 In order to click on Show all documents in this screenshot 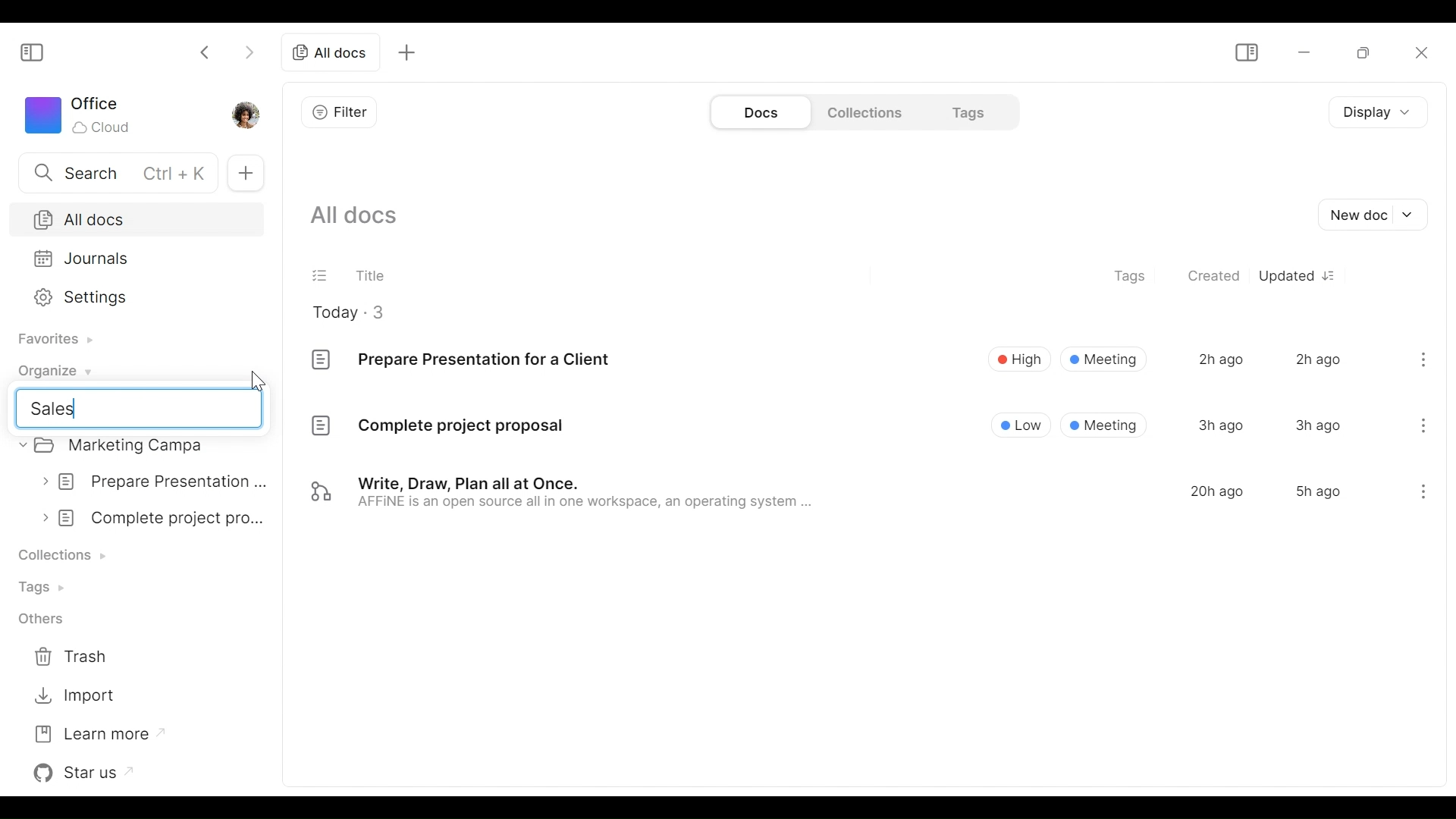, I will do `click(361, 217)`.